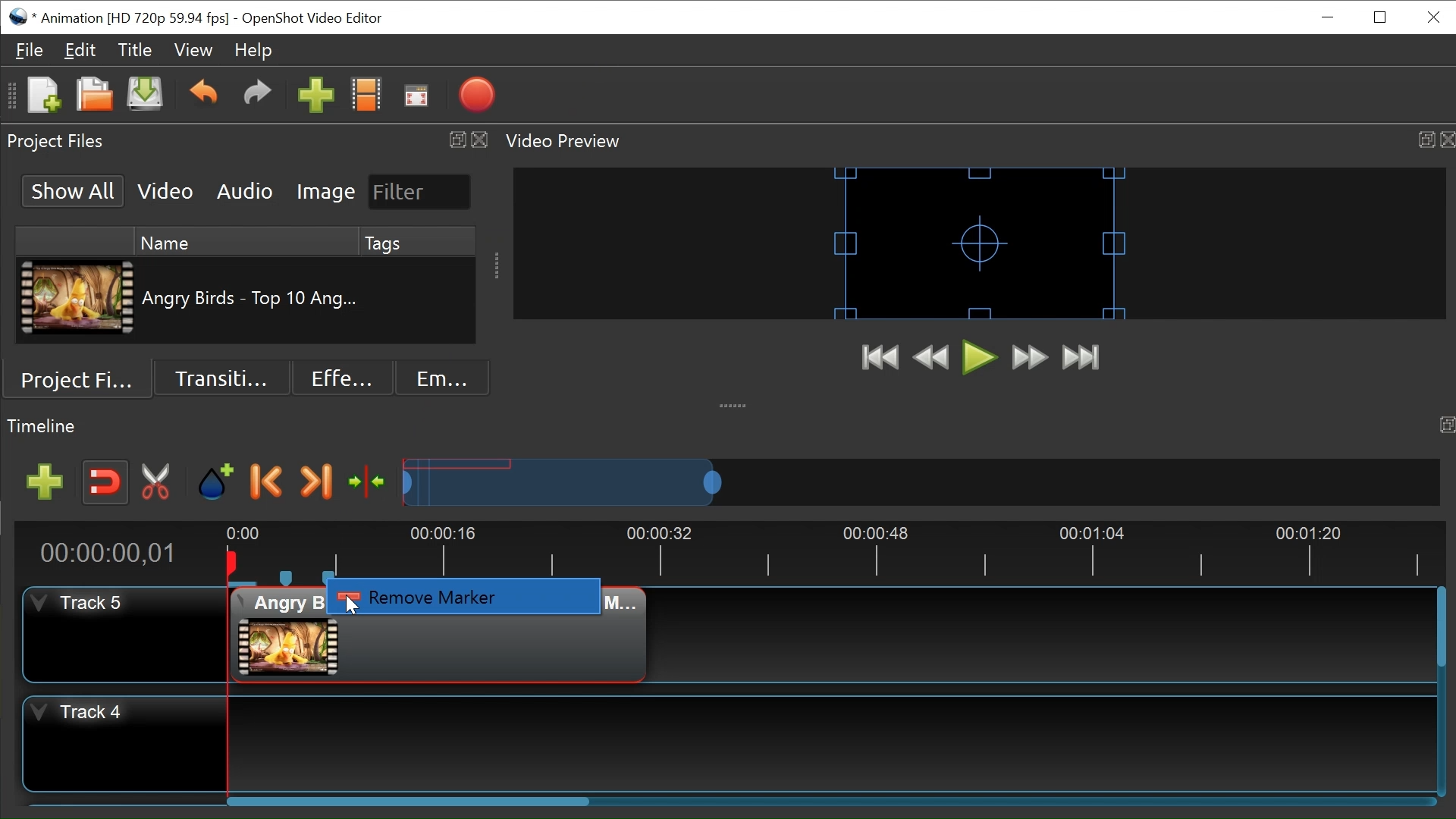 This screenshot has height=819, width=1456. I want to click on Cursor, so click(331, 590).